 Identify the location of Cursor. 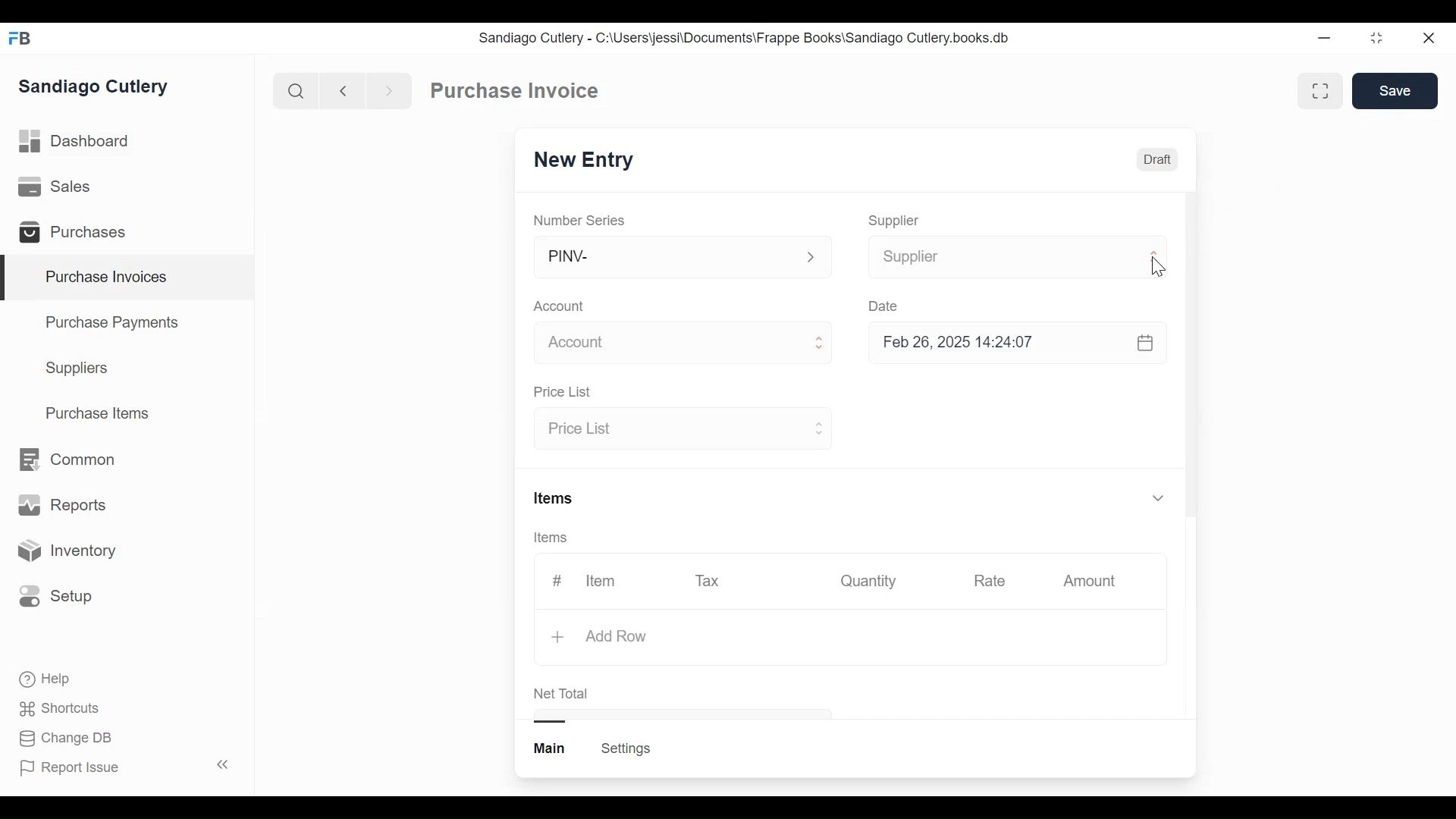
(1158, 268).